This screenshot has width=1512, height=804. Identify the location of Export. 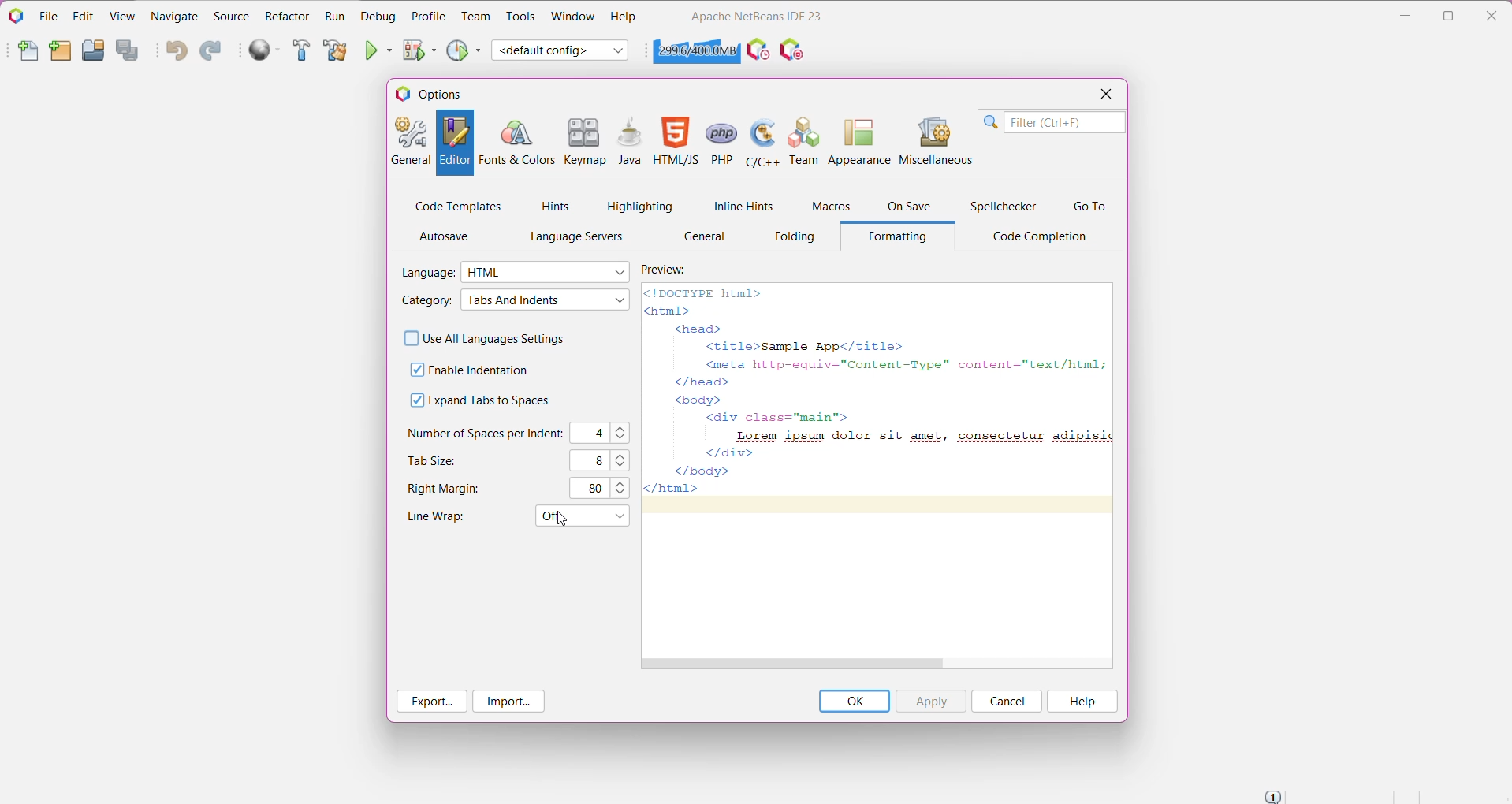
(433, 702).